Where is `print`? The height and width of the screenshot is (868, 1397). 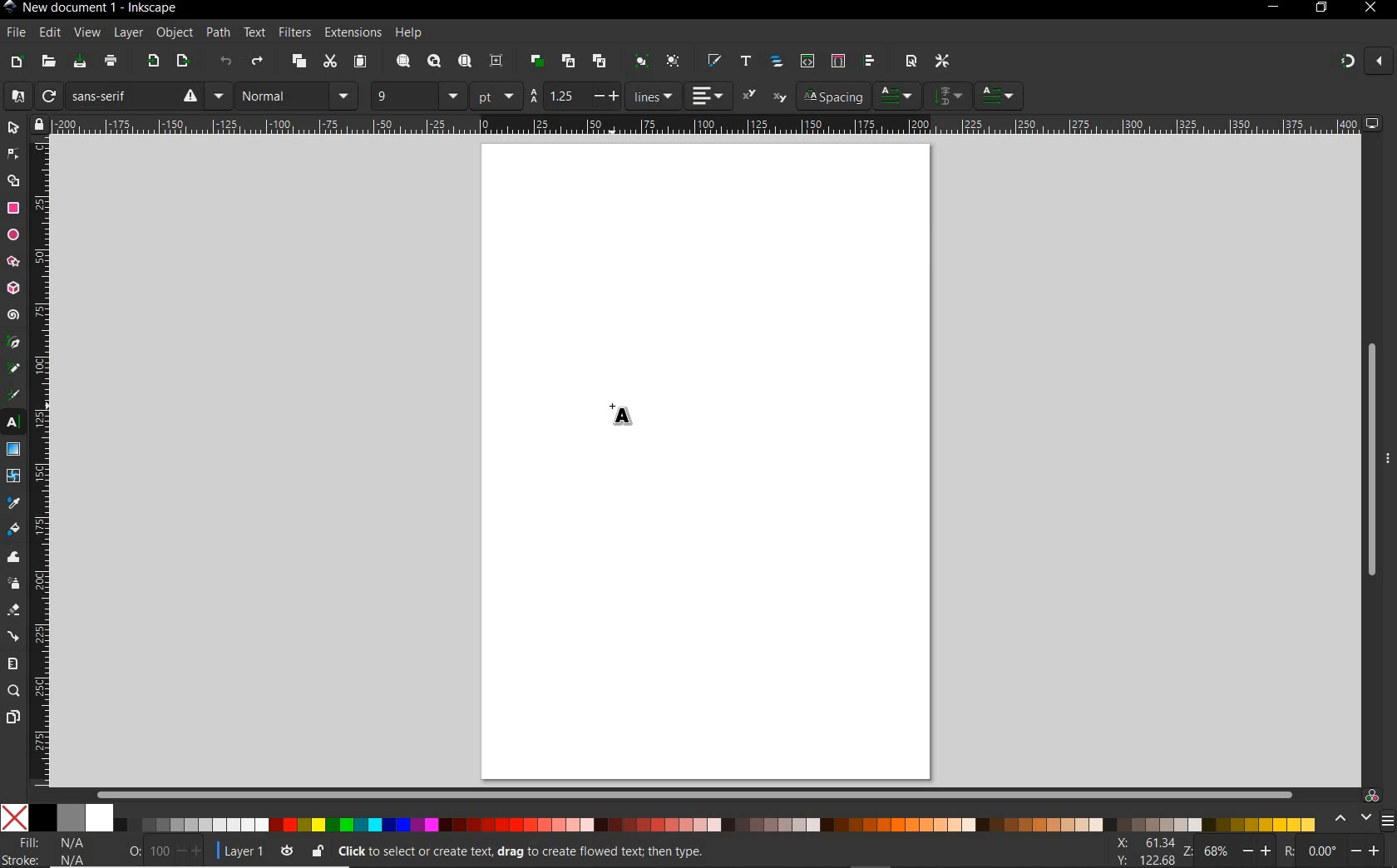
print is located at coordinates (111, 62).